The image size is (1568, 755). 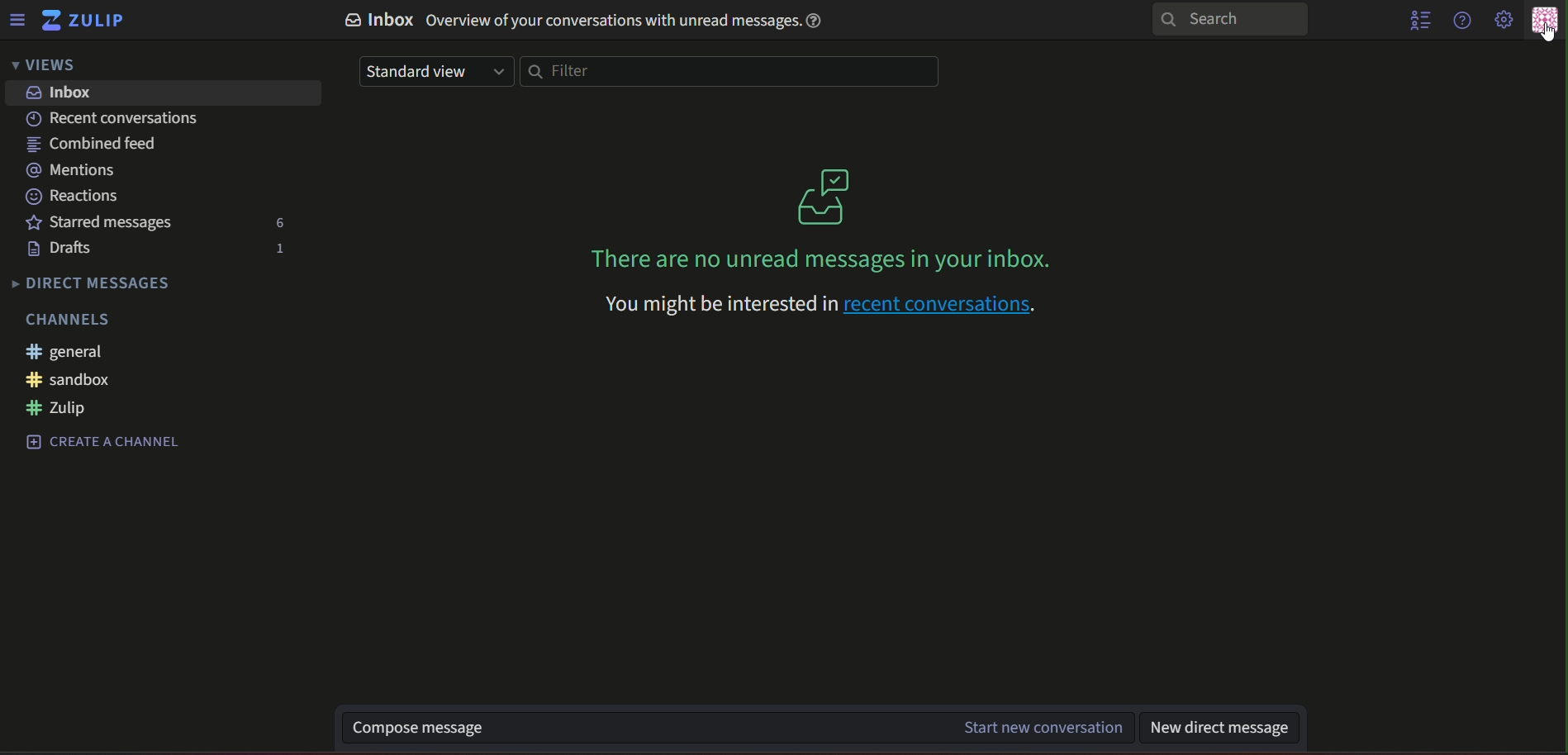 What do you see at coordinates (47, 66) in the screenshot?
I see `views` at bounding box center [47, 66].